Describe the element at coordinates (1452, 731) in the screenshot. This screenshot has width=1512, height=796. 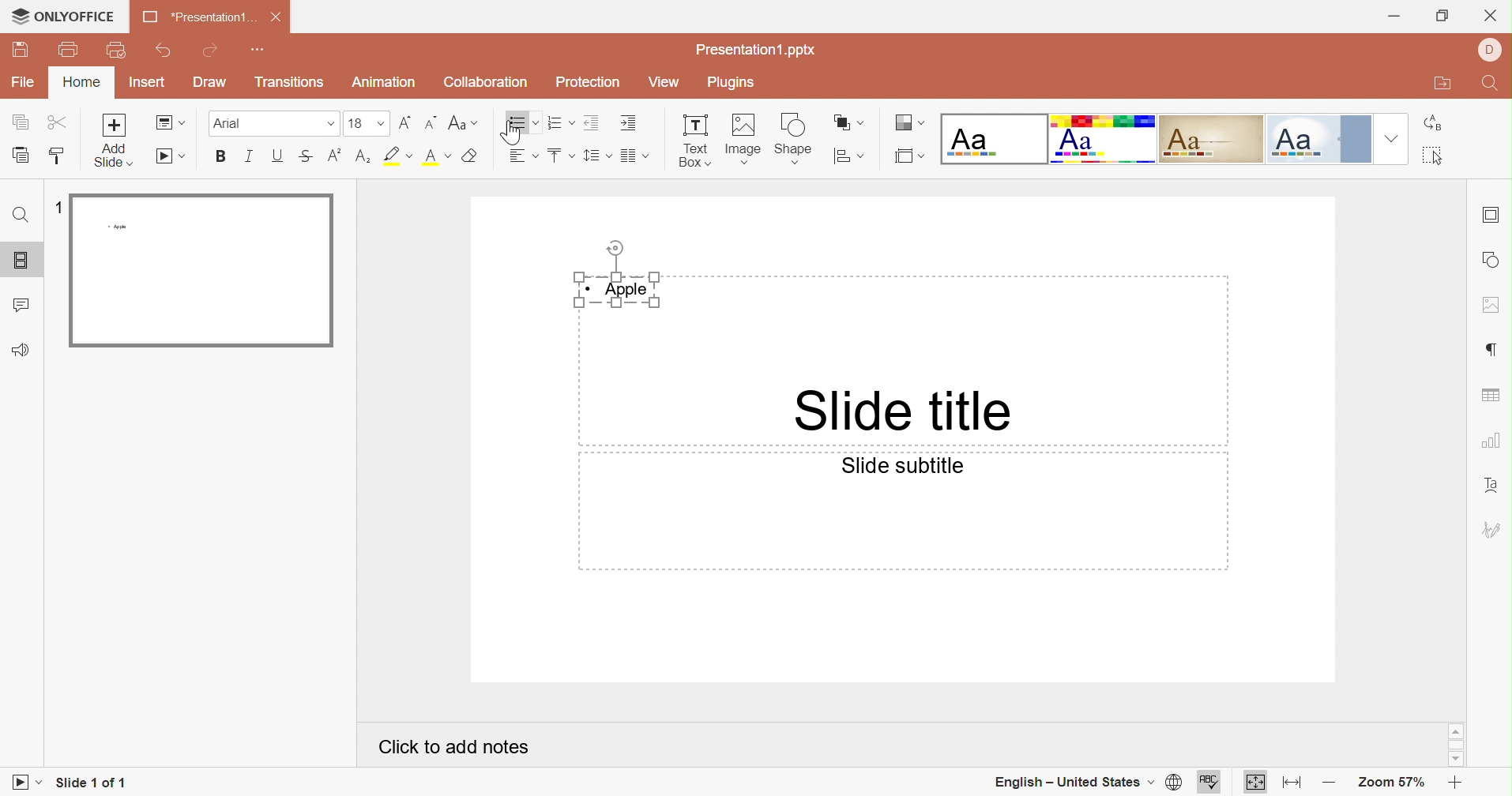
I see `Scroll Up` at that location.